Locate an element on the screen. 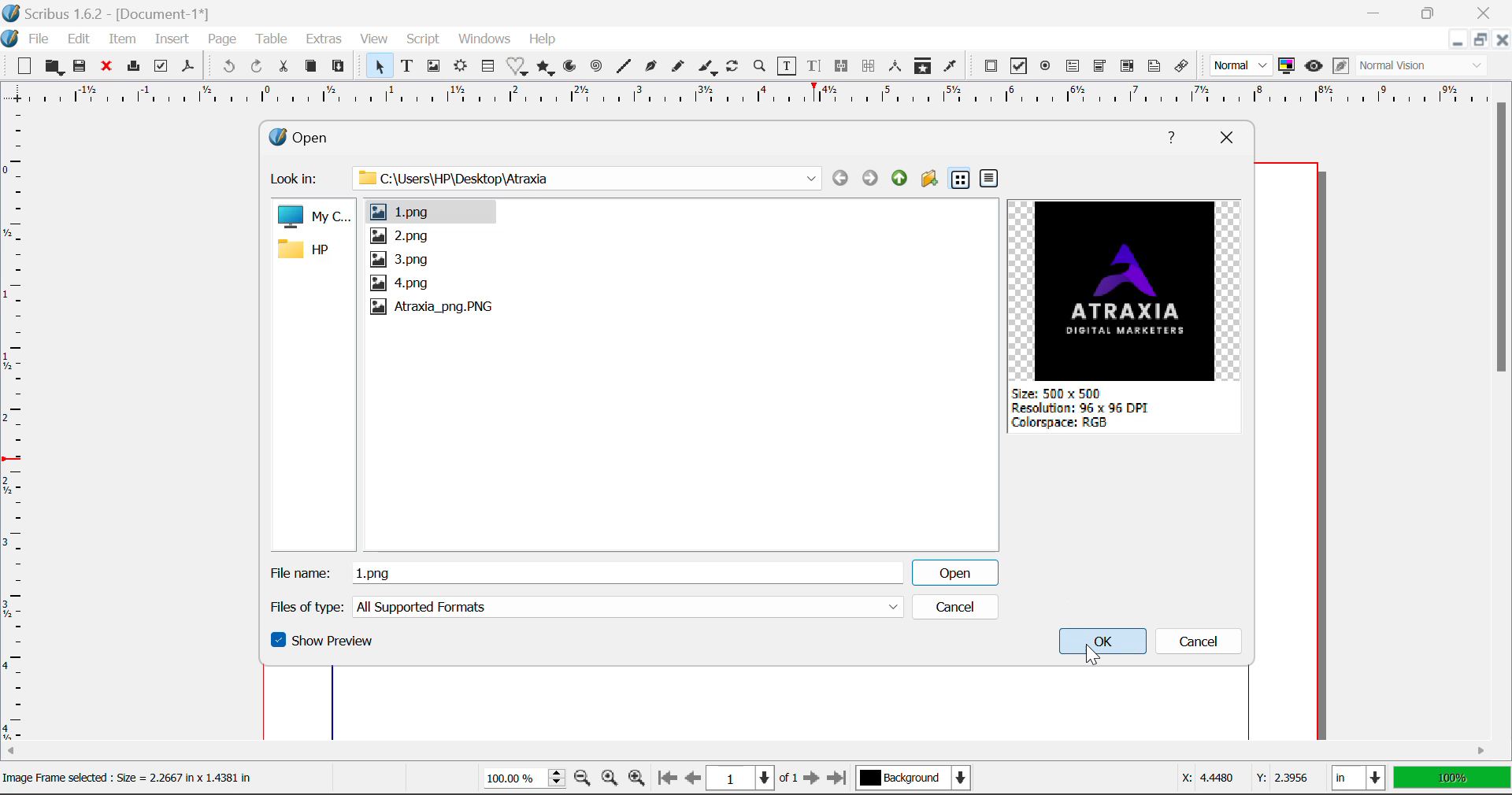 The height and width of the screenshot is (795, 1512). Arcs is located at coordinates (569, 66).